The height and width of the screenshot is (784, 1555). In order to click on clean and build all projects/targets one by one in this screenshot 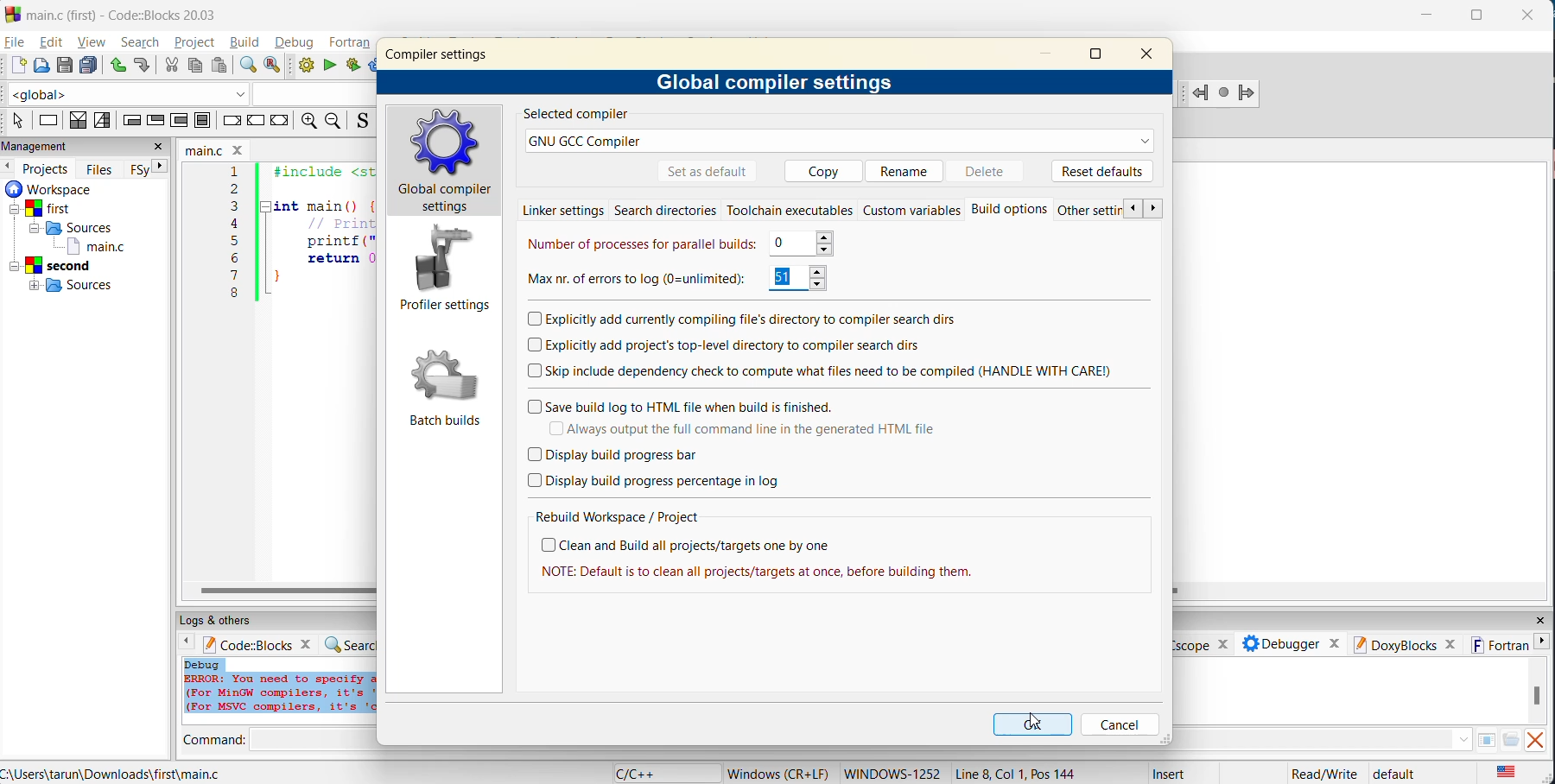, I will do `click(751, 545)`.